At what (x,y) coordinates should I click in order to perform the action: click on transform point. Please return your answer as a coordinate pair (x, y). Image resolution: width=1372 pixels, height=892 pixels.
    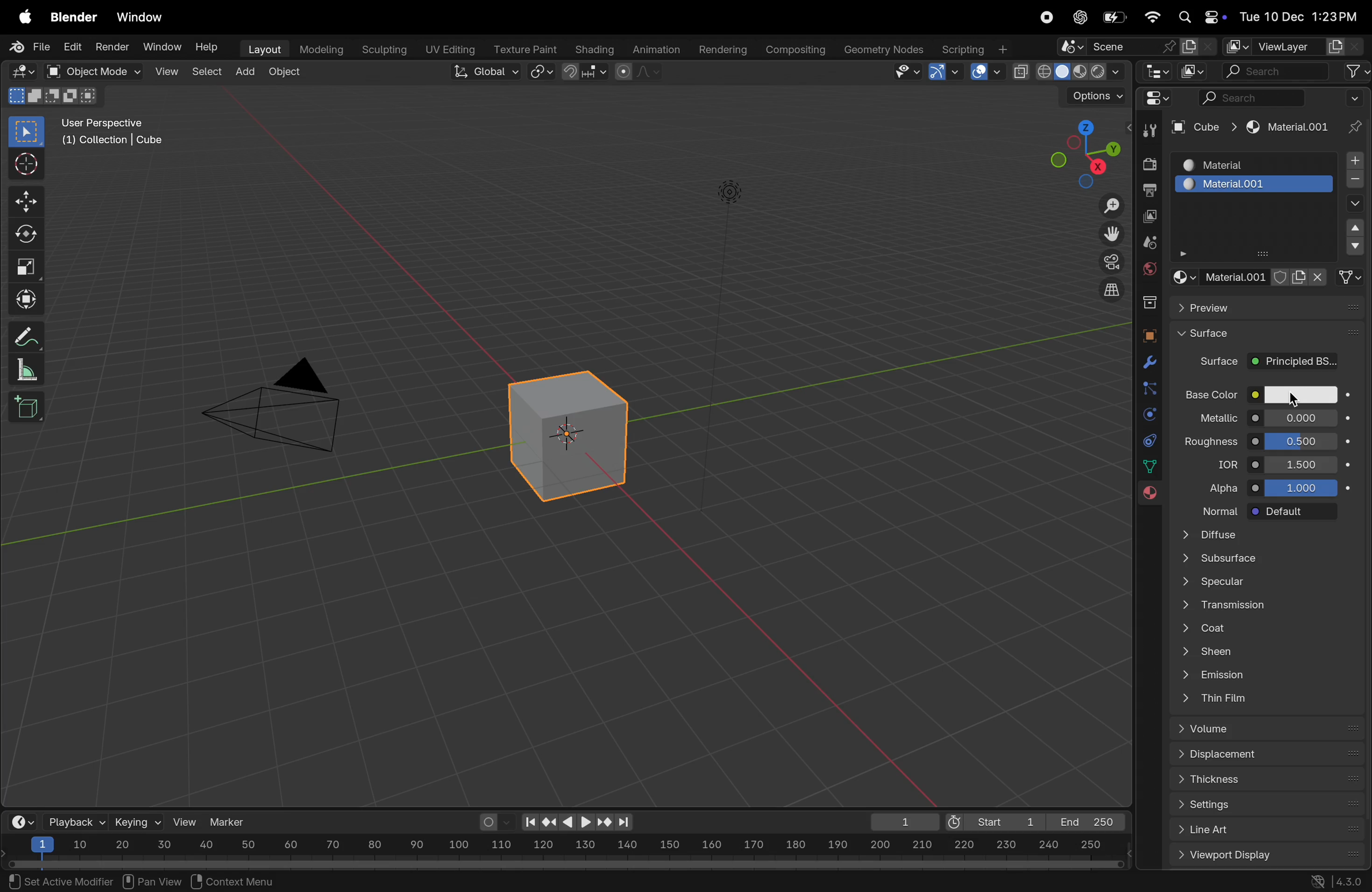
    Looking at the image, I should click on (586, 72).